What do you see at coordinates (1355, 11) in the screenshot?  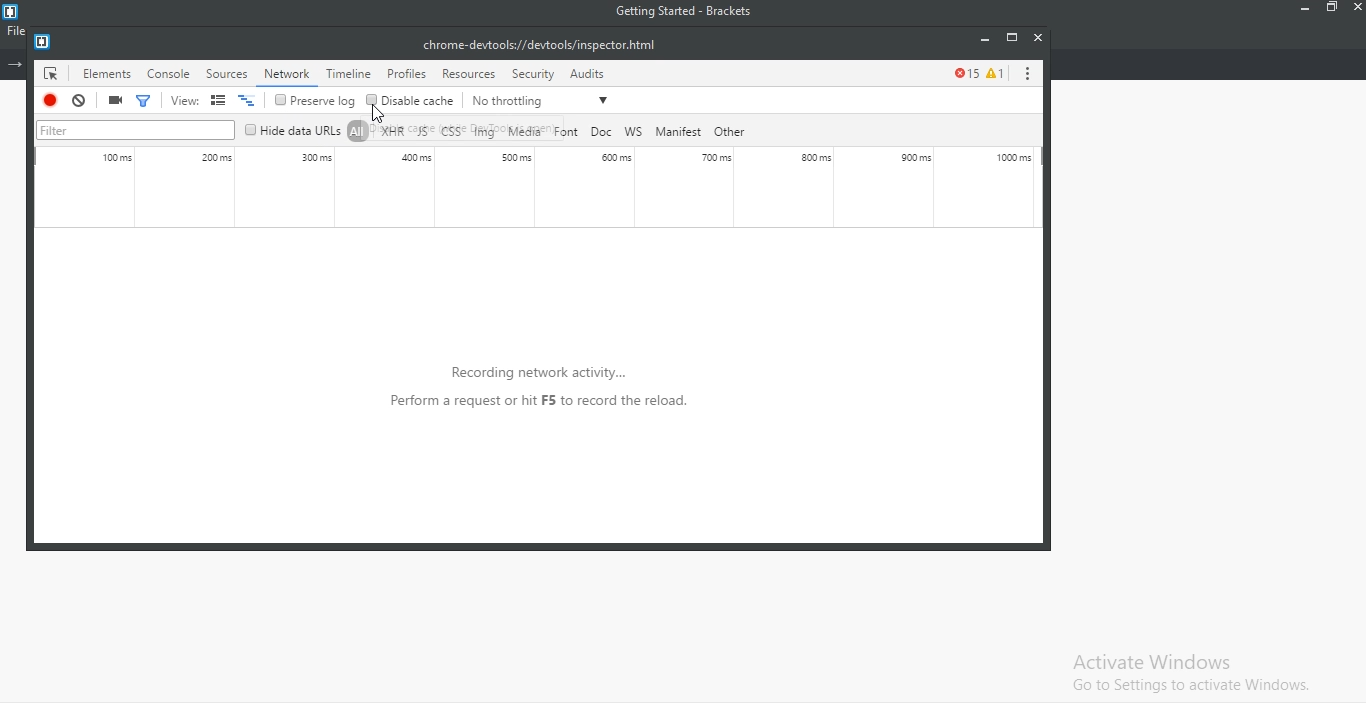 I see `close` at bounding box center [1355, 11].